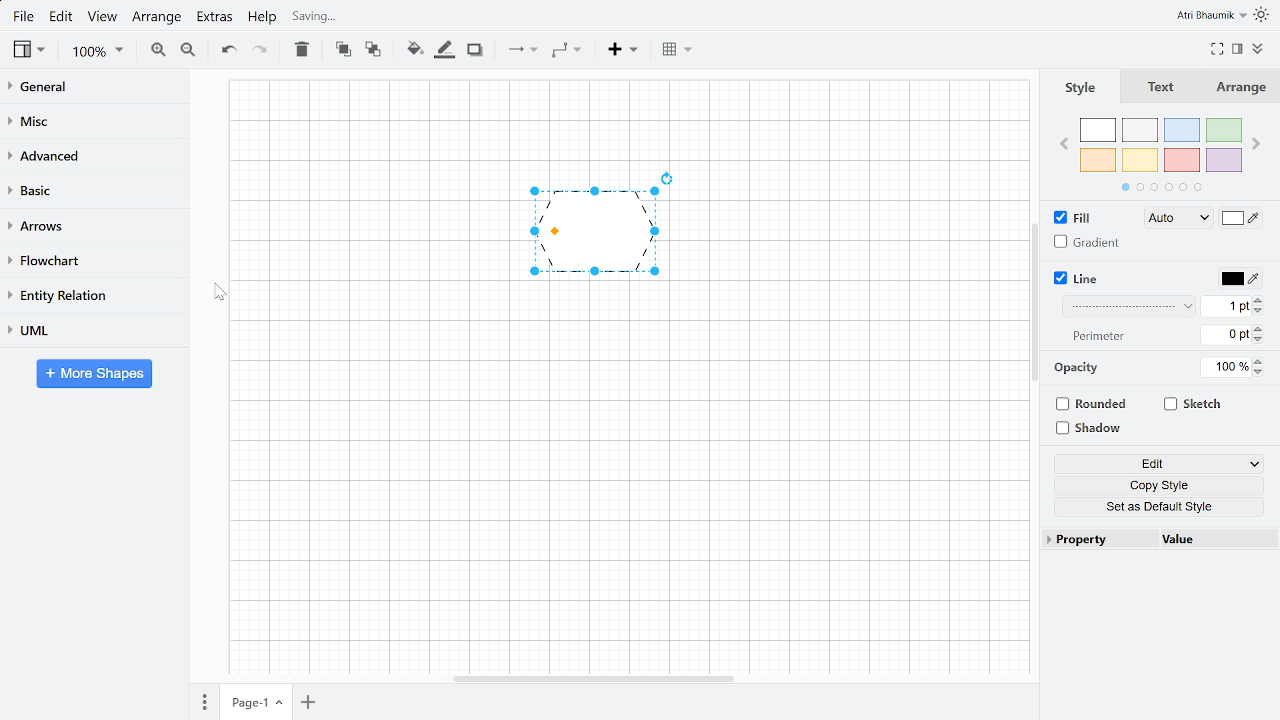 This screenshot has width=1280, height=720. Describe the element at coordinates (1175, 220) in the screenshot. I see `Auto Fill style` at that location.